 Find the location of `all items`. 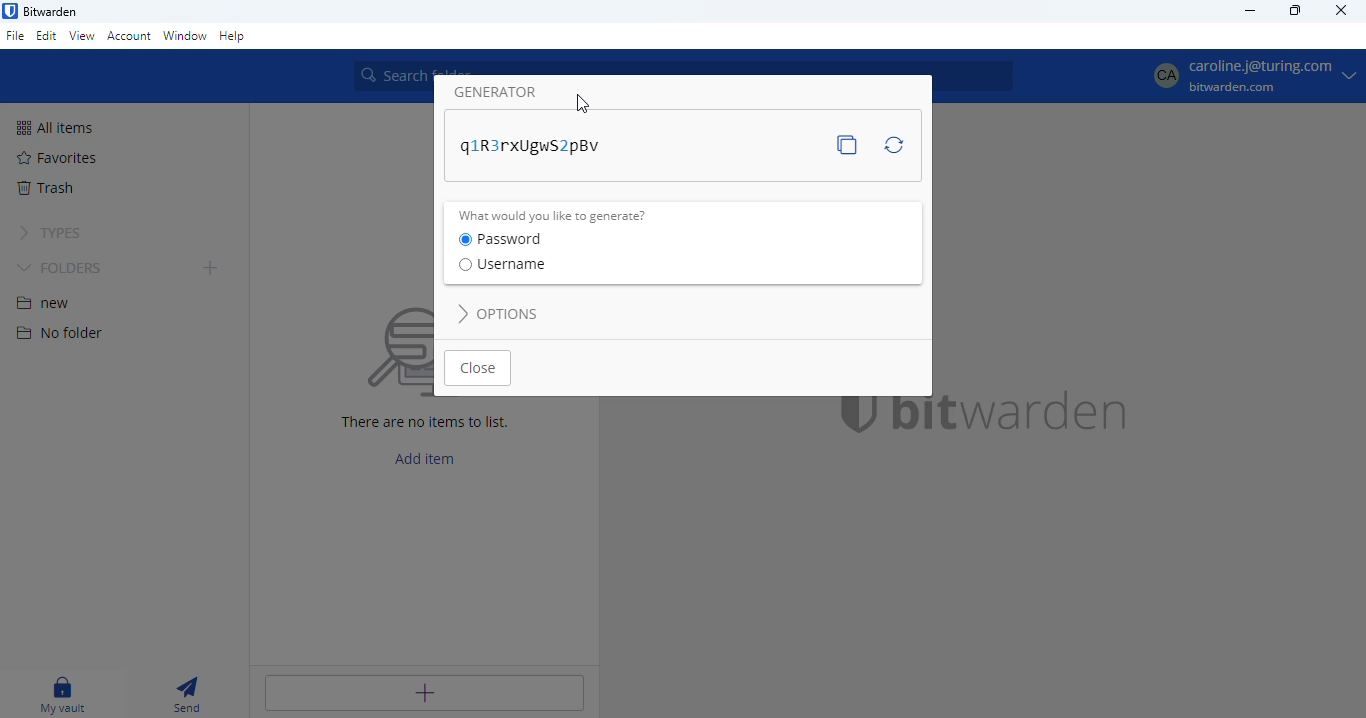

all items is located at coordinates (55, 128).